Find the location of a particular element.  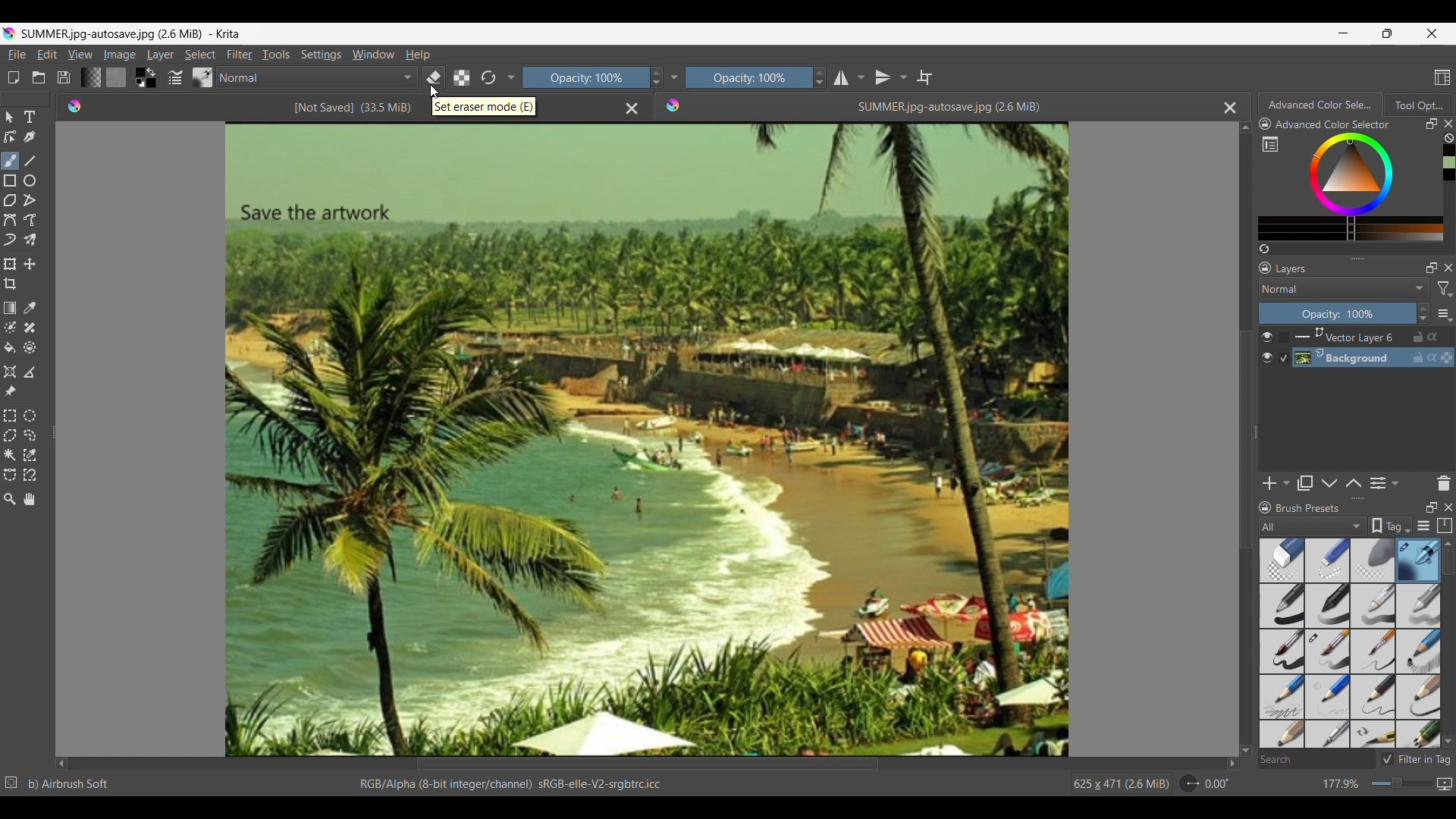

Freehand selection tool is located at coordinates (30, 436).